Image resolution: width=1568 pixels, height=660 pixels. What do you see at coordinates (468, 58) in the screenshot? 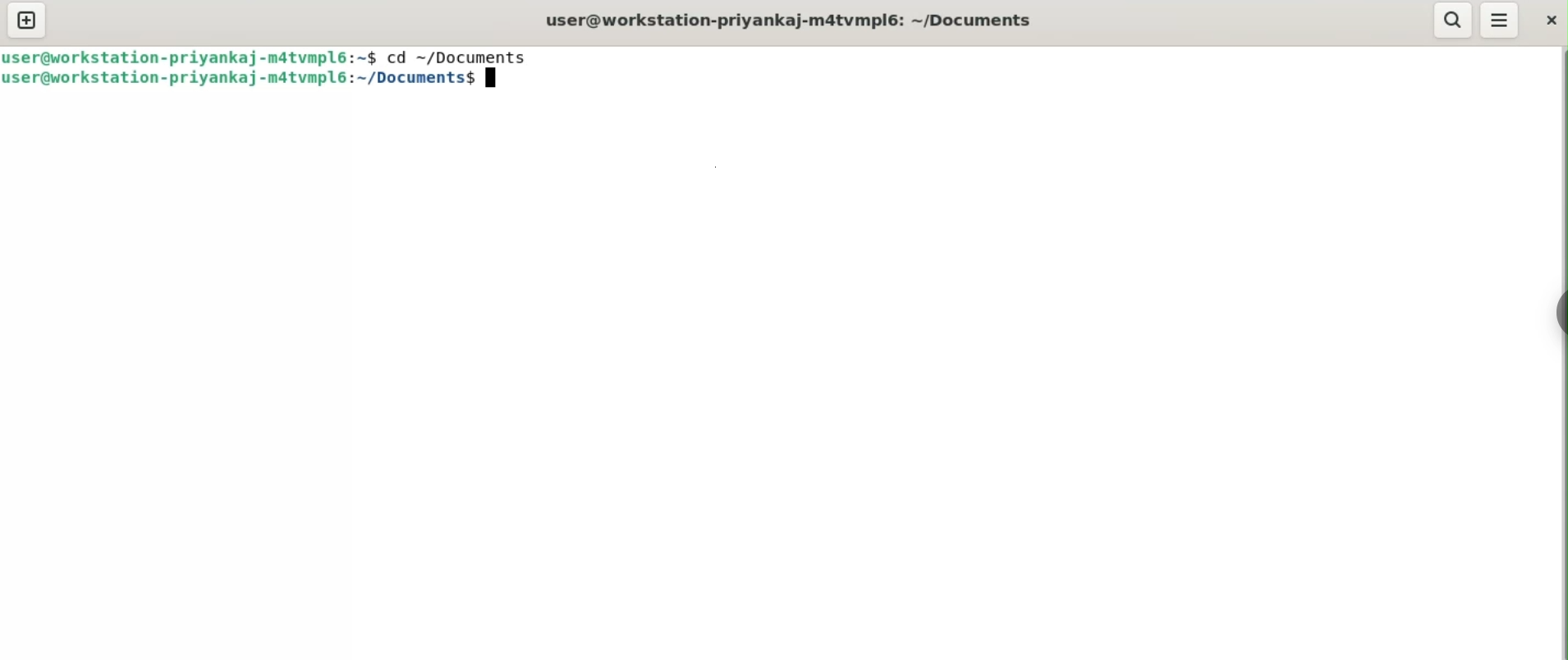
I see `cd ~/Documents` at bounding box center [468, 58].